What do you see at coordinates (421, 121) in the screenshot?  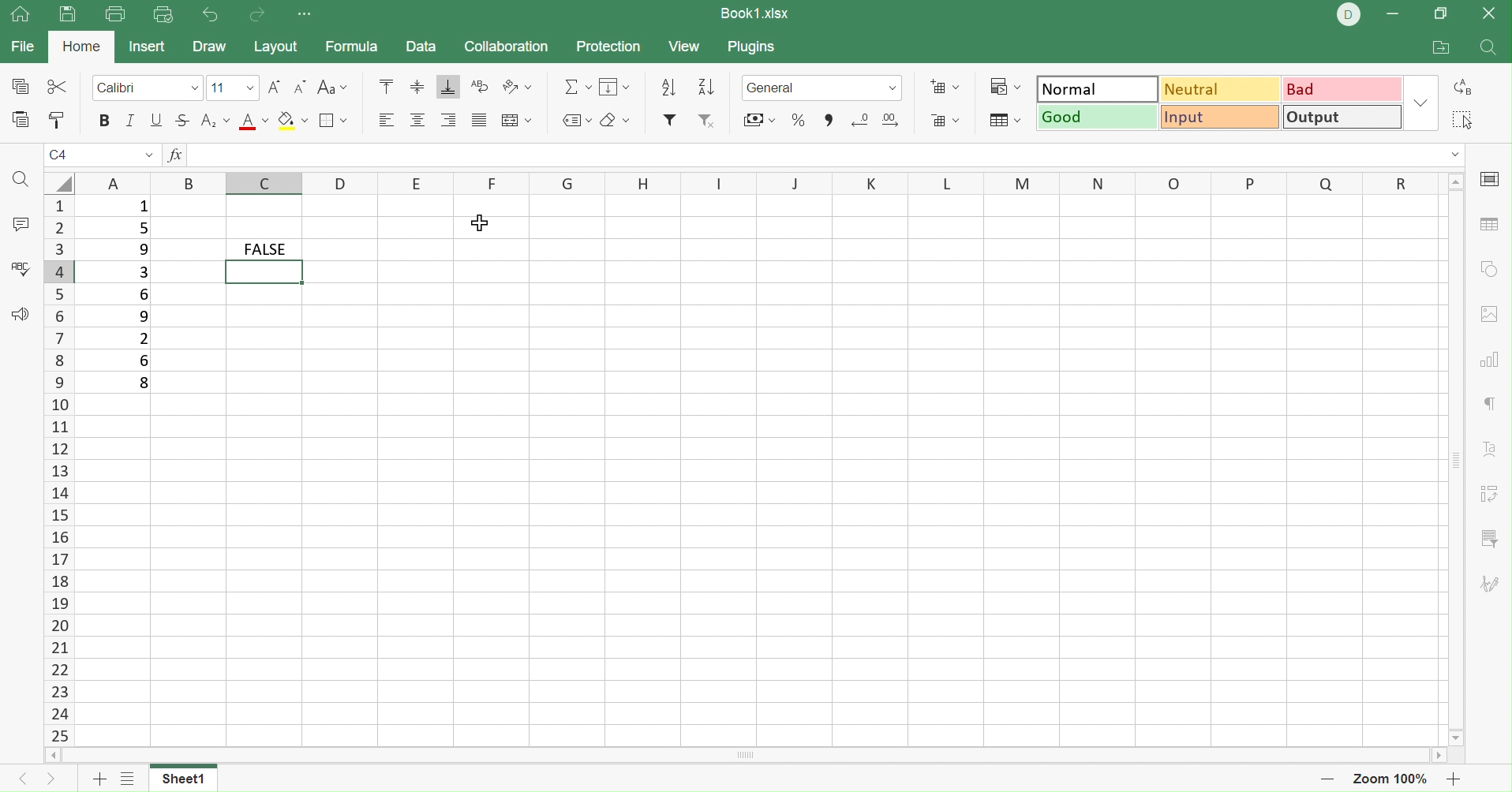 I see `Align middle` at bounding box center [421, 121].